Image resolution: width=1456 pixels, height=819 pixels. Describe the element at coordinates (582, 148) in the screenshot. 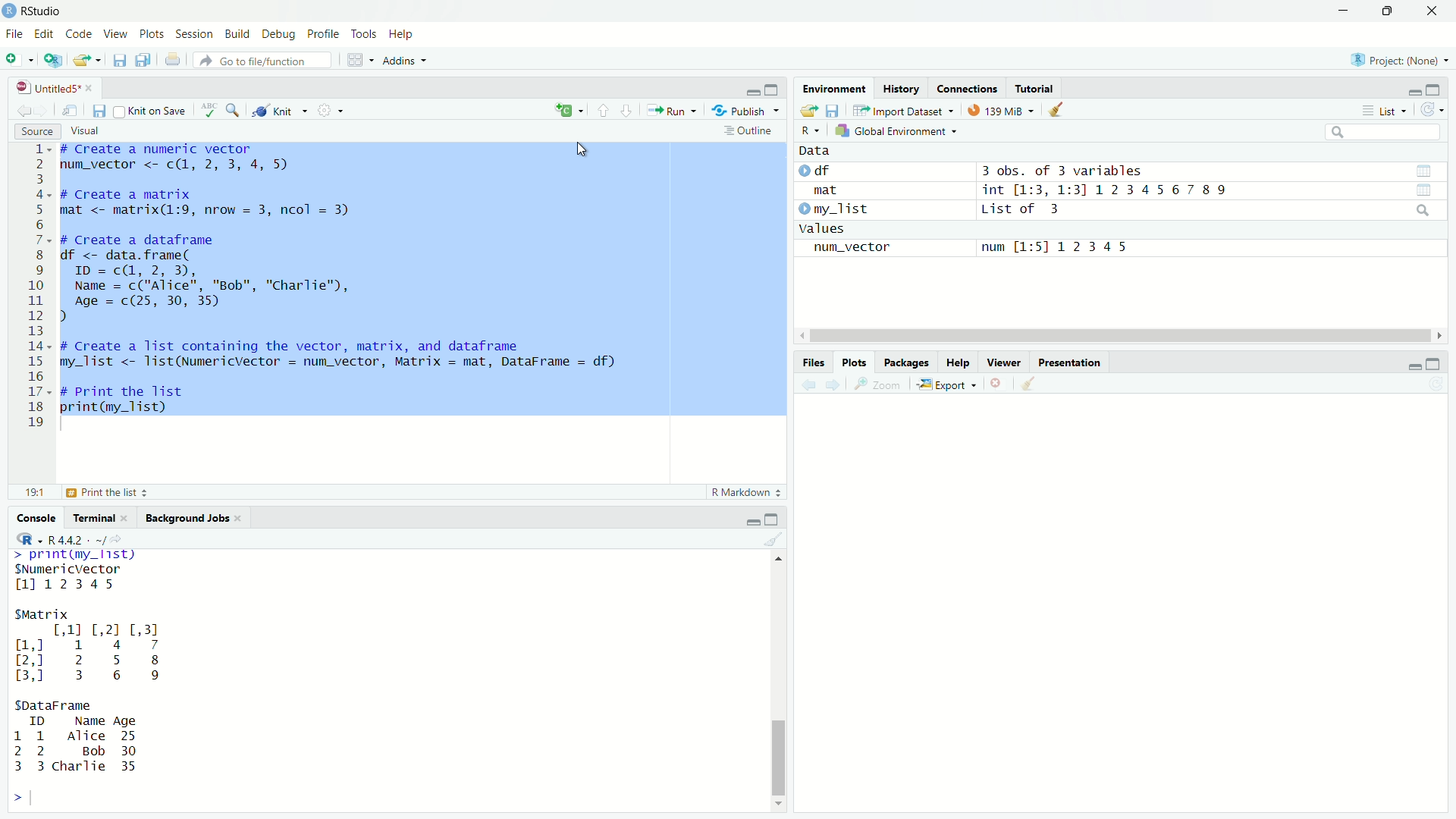

I see `cursor` at that location.